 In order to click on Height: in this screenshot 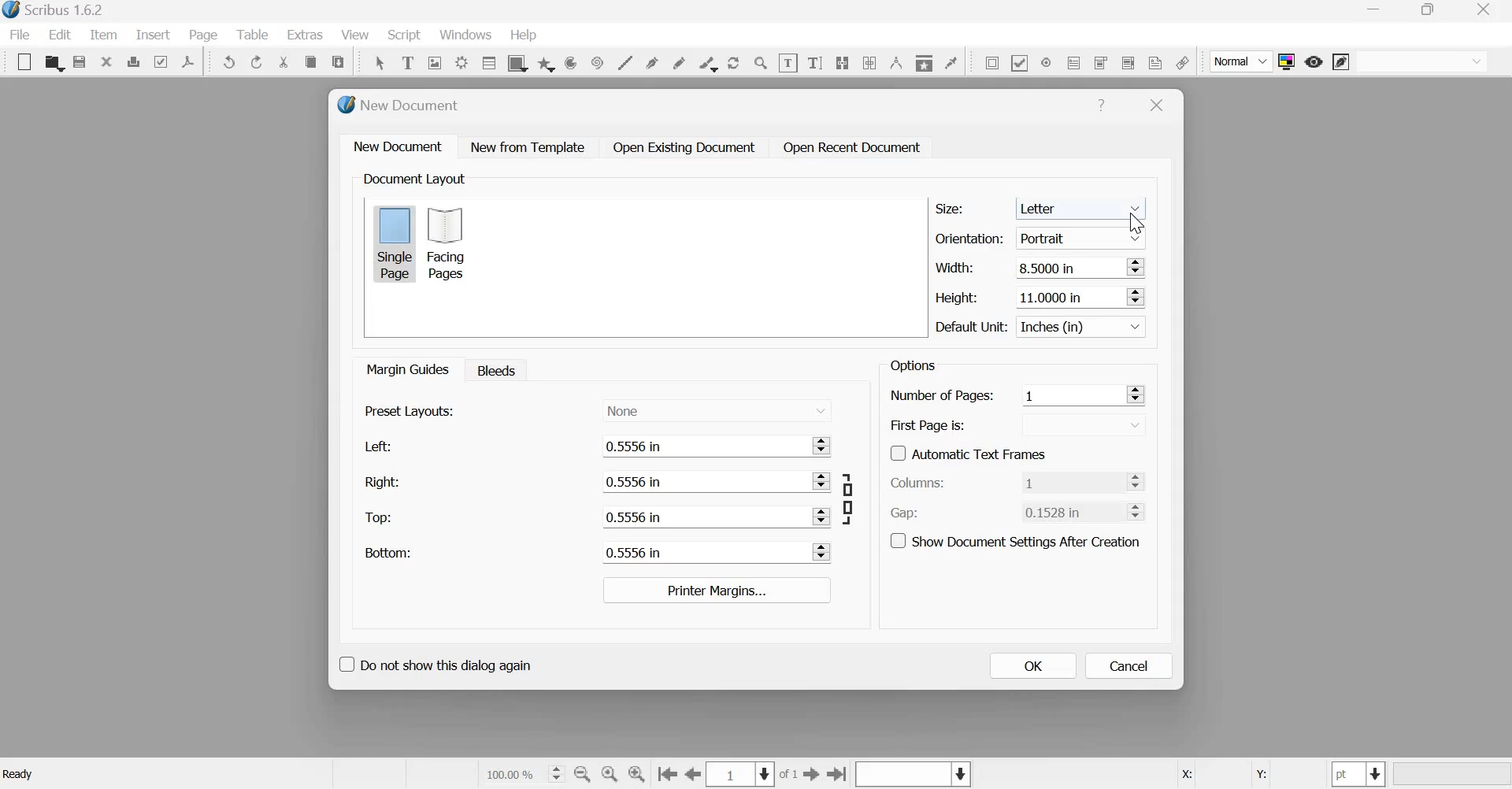, I will do `click(957, 298)`.